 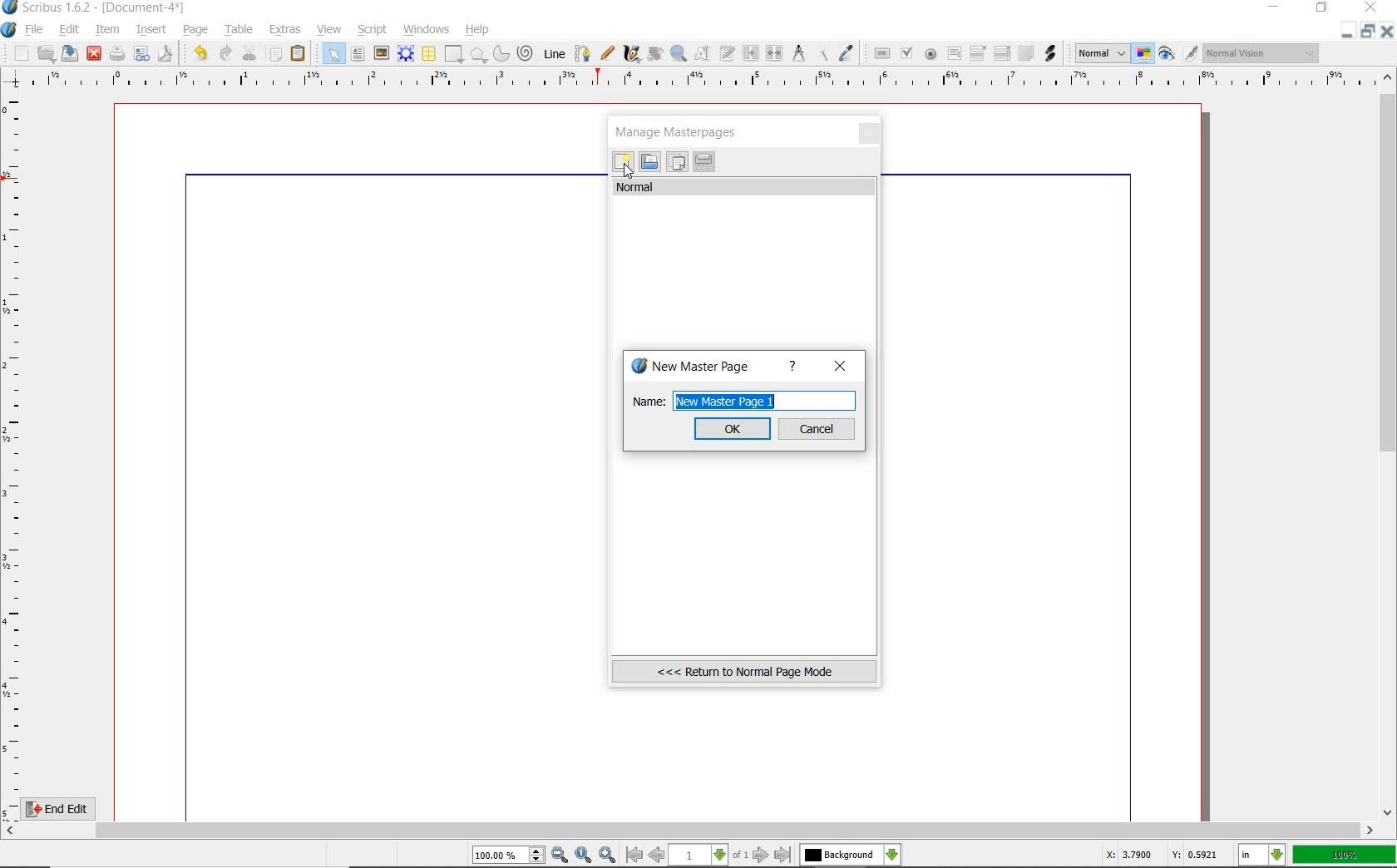 What do you see at coordinates (818, 429) in the screenshot?
I see `cancel` at bounding box center [818, 429].